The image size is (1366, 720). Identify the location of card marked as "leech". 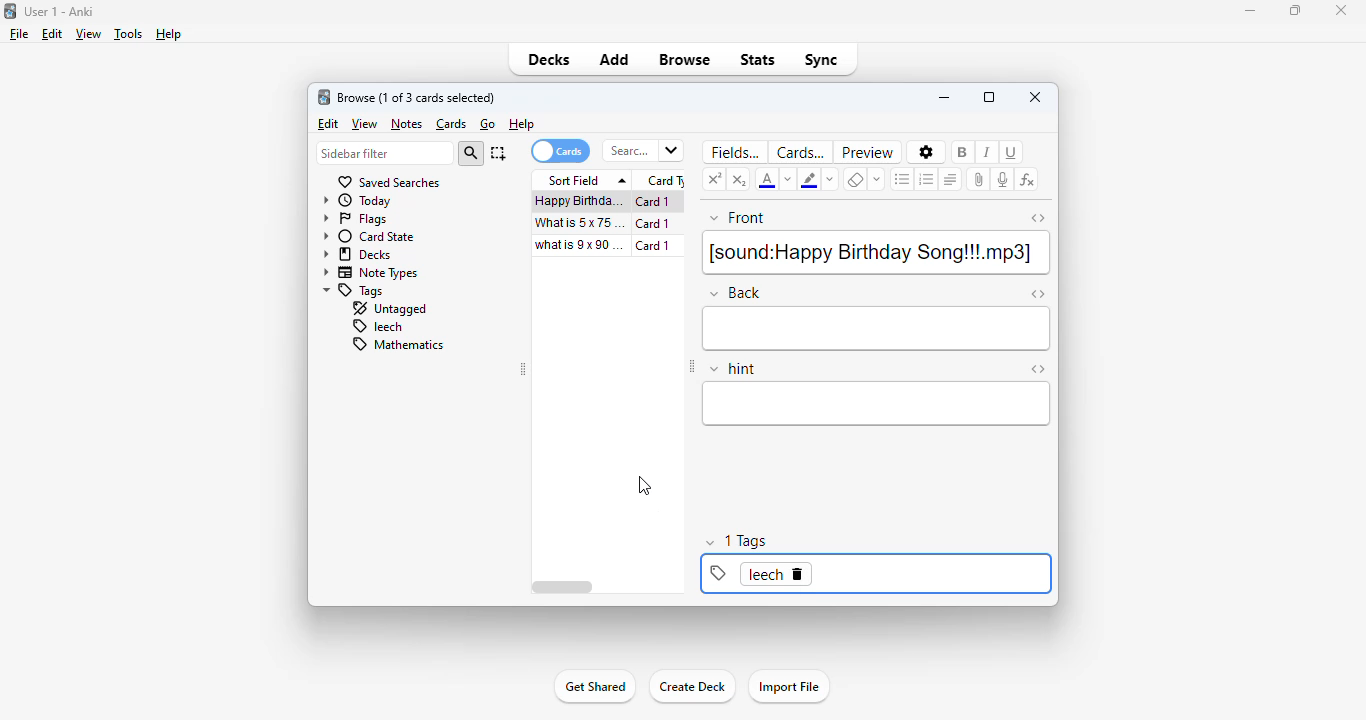
(764, 574).